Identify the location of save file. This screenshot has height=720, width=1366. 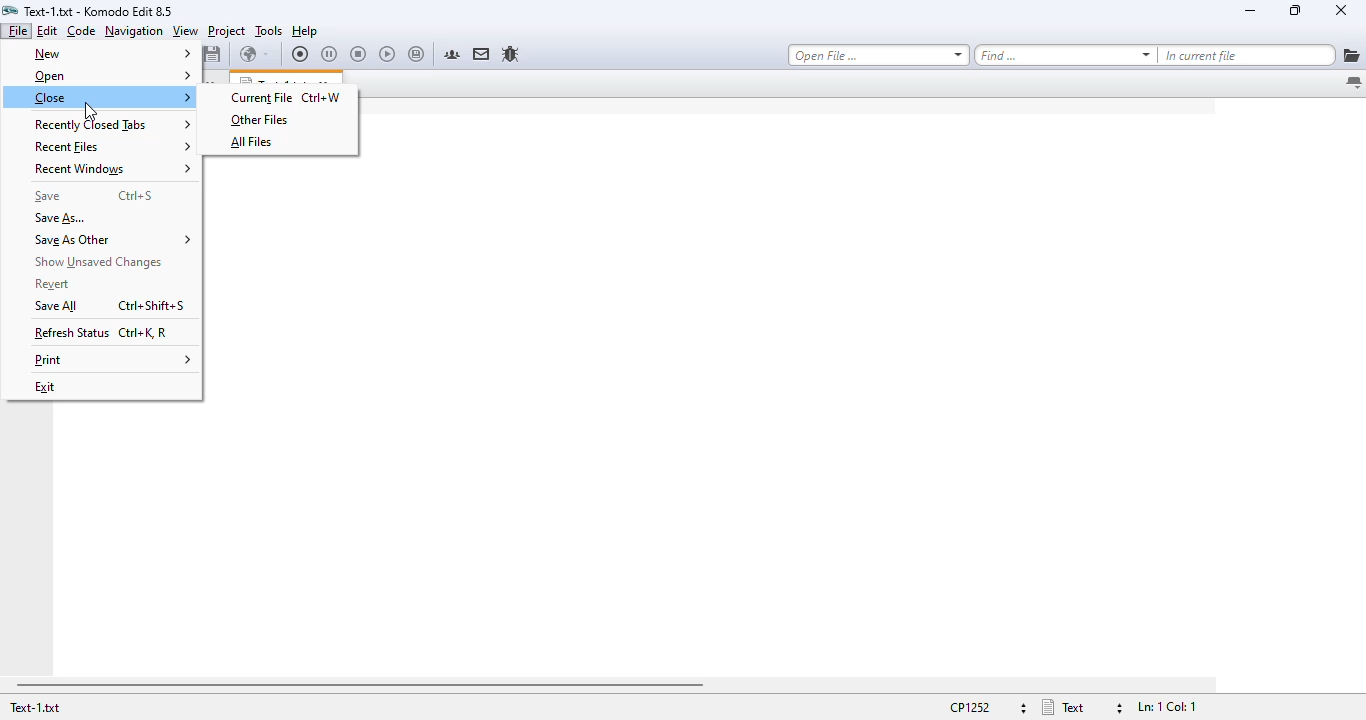
(213, 54).